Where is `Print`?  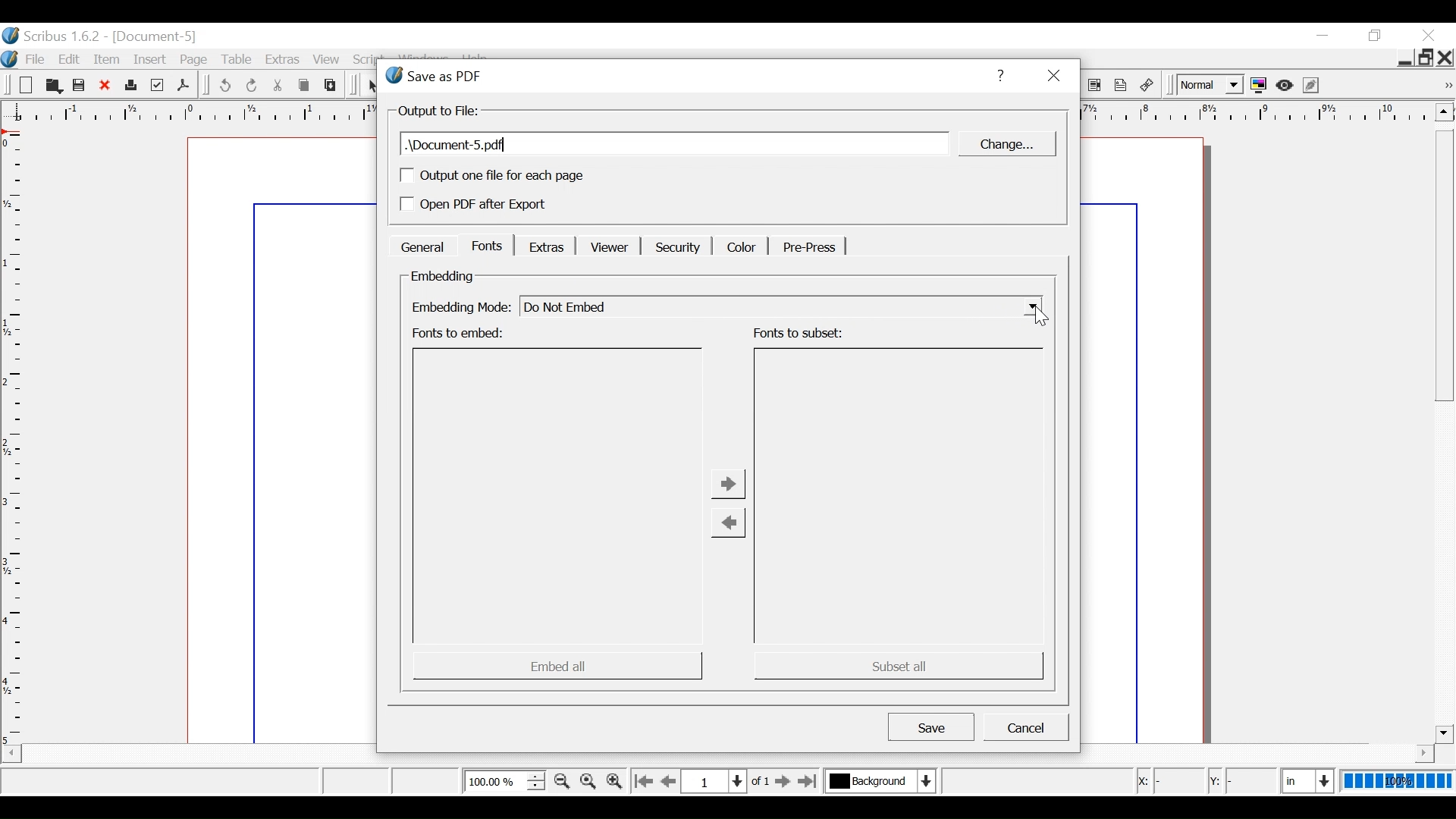 Print is located at coordinates (130, 86).